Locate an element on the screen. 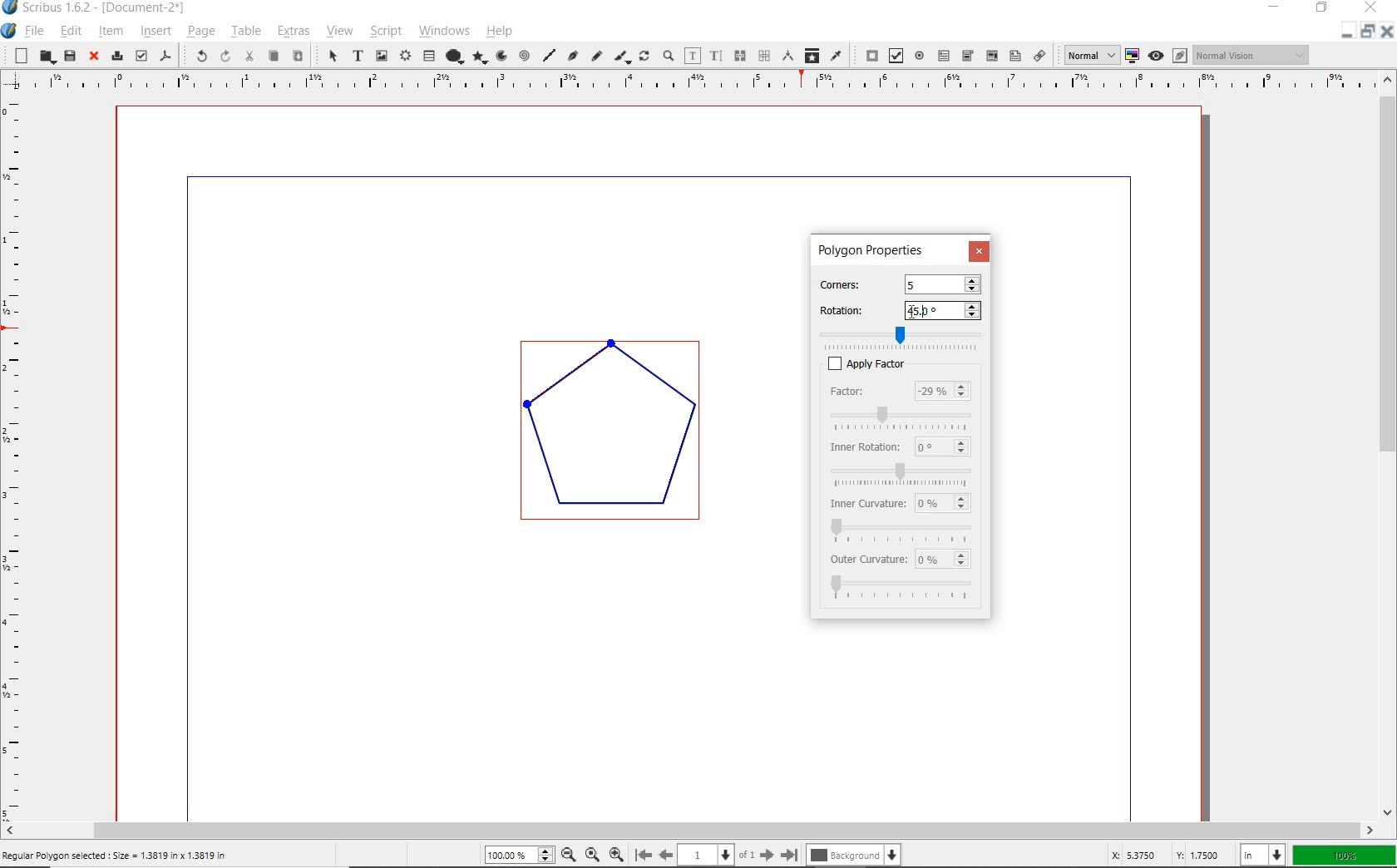 This screenshot has height=868, width=1397. unlink text frames is located at coordinates (763, 55).